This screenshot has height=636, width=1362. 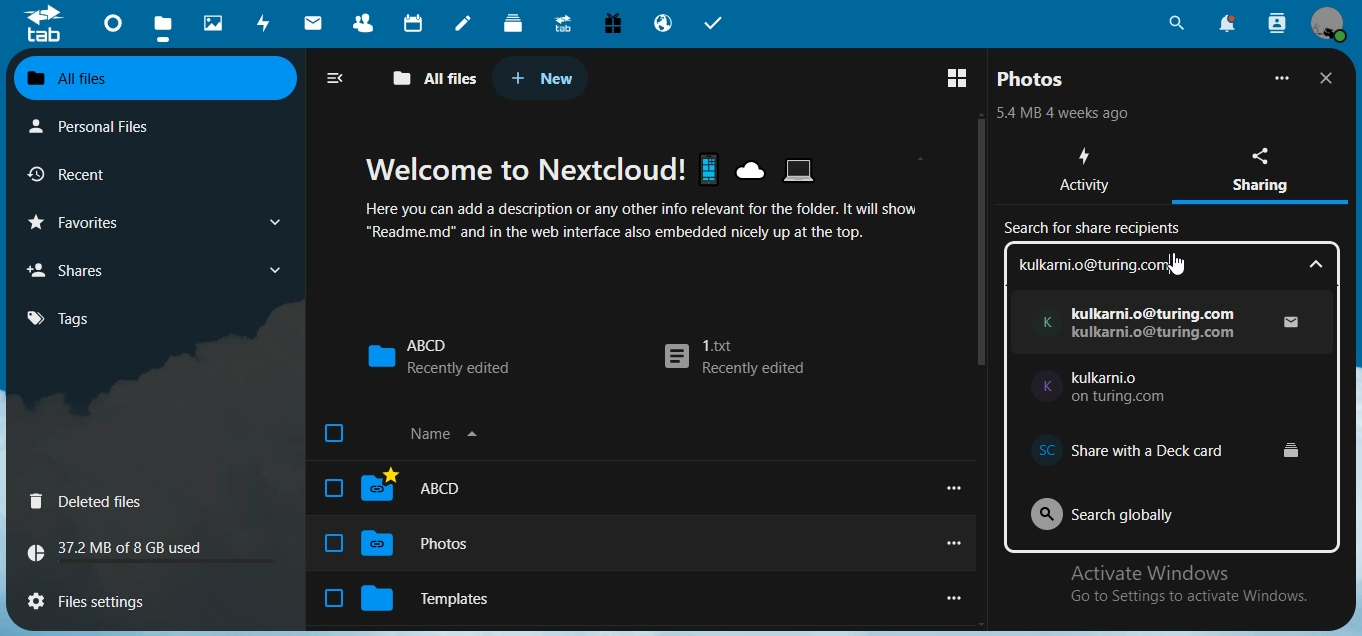 I want to click on all files, so click(x=152, y=79).